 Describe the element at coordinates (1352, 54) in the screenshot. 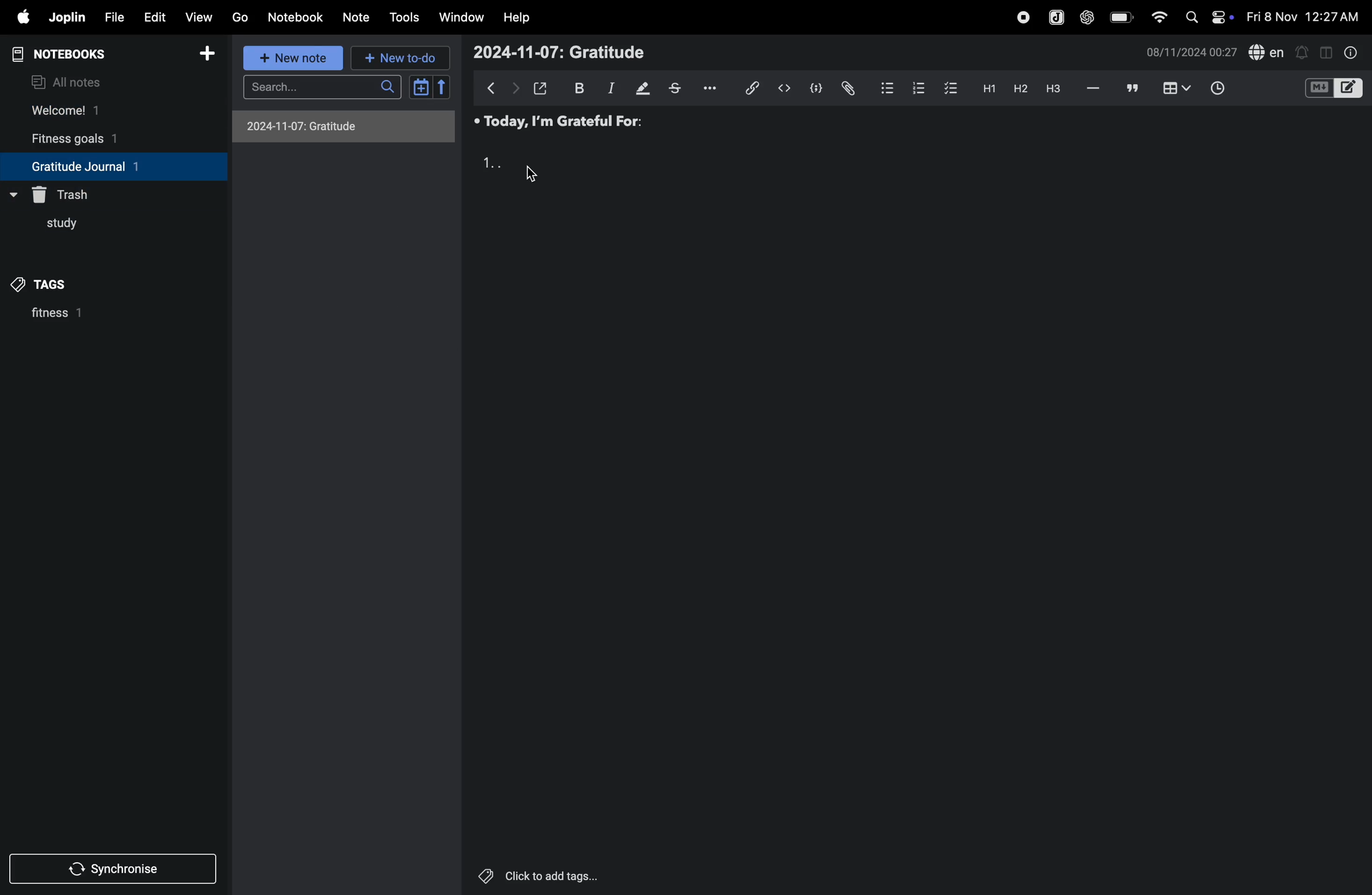

I see `info` at that location.